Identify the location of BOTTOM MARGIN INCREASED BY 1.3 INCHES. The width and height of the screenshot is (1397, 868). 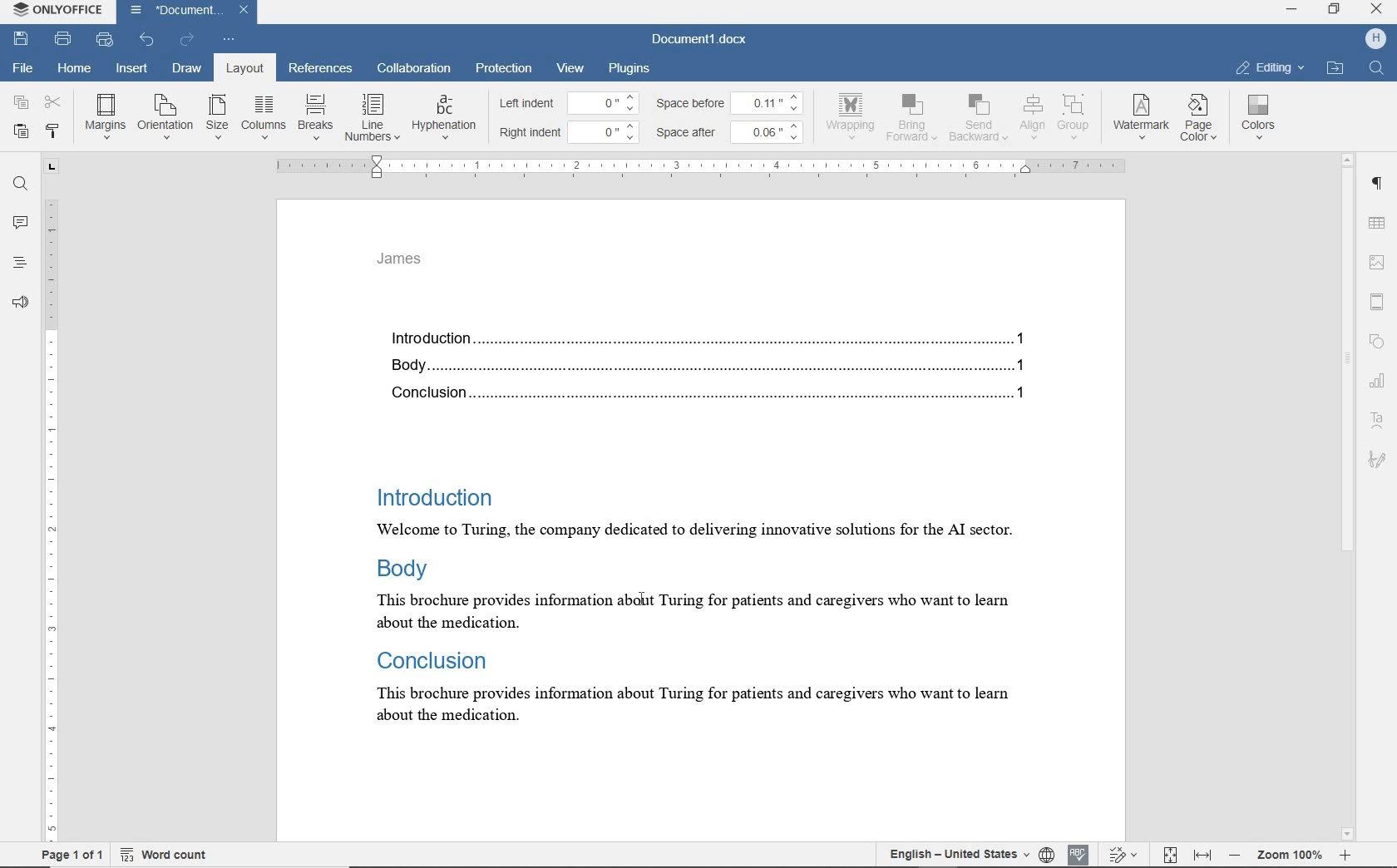
(701, 784).